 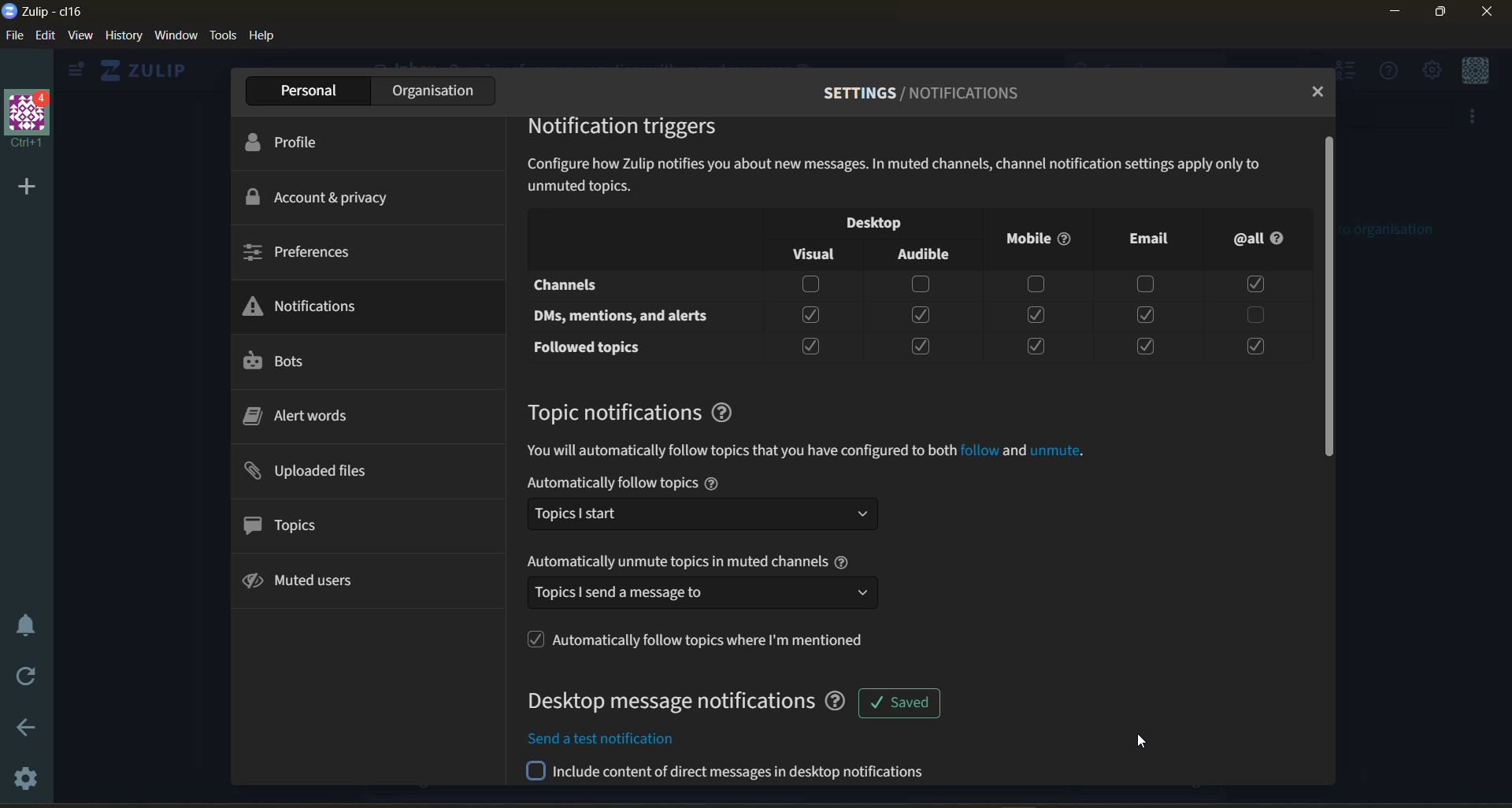 What do you see at coordinates (683, 702) in the screenshot?
I see `desktop message notifications` at bounding box center [683, 702].